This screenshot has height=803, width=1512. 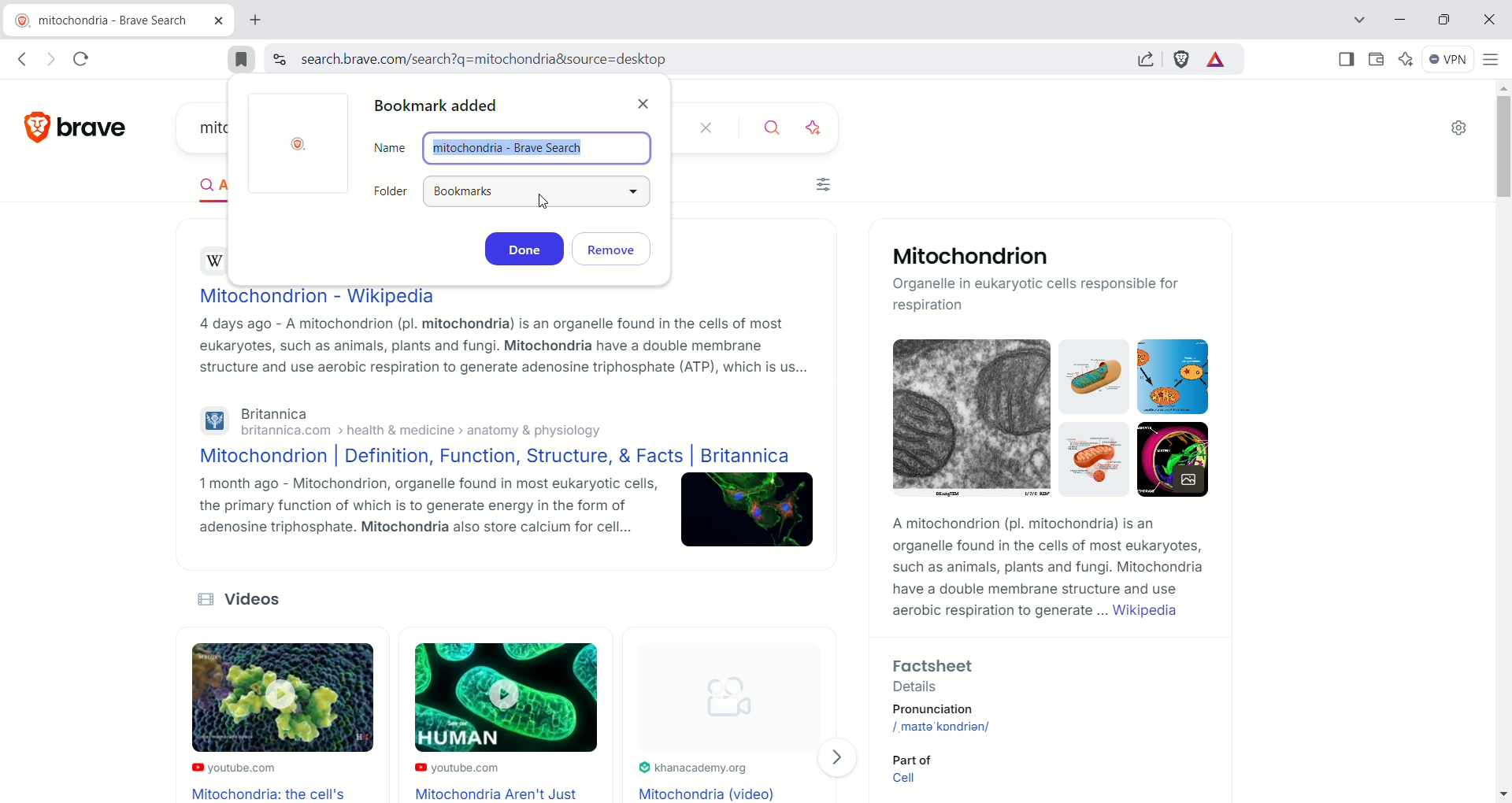 What do you see at coordinates (842, 757) in the screenshot?
I see `Visit page` at bounding box center [842, 757].